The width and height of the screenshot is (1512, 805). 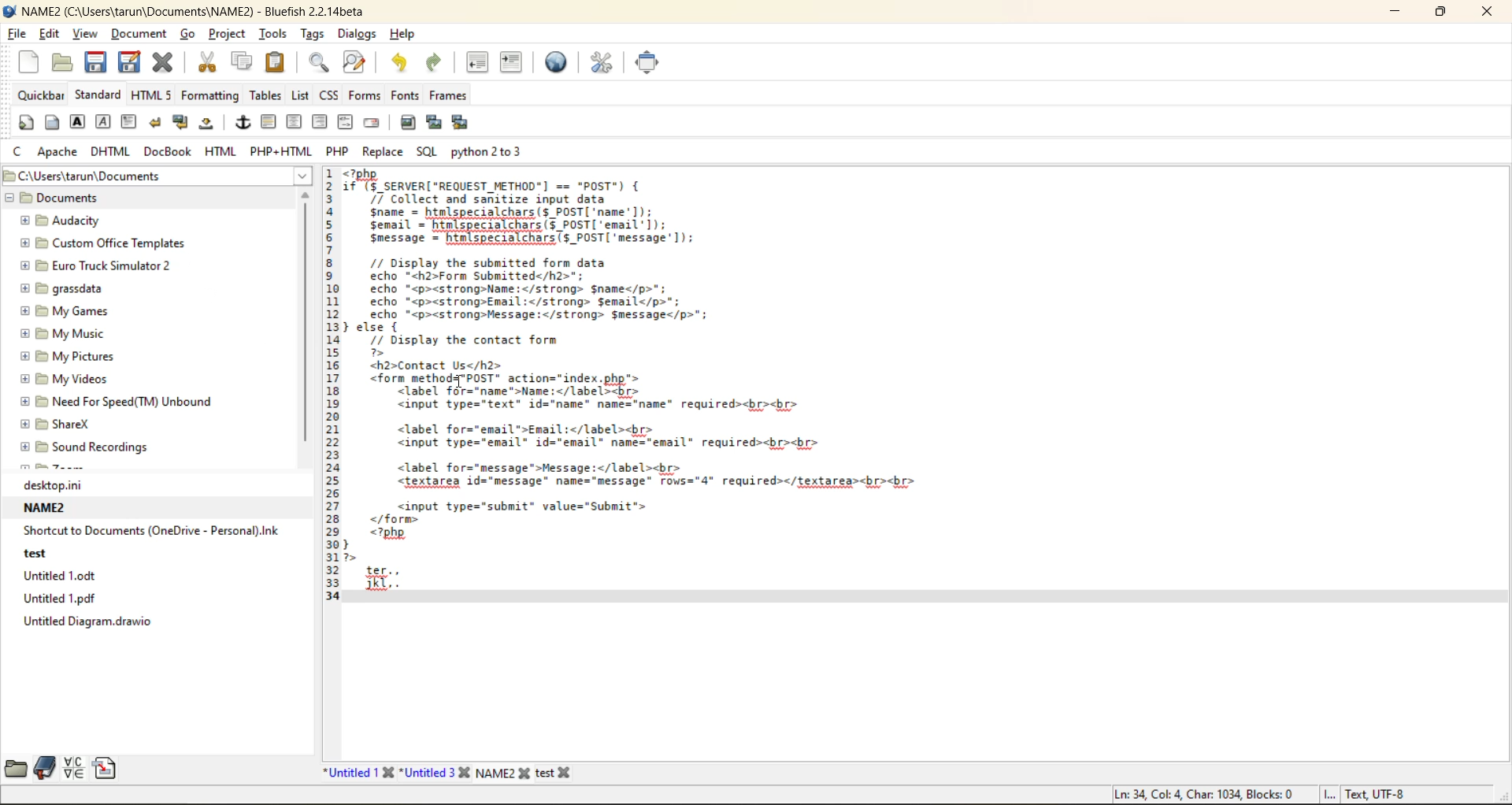 What do you see at coordinates (57, 150) in the screenshot?
I see `apache` at bounding box center [57, 150].